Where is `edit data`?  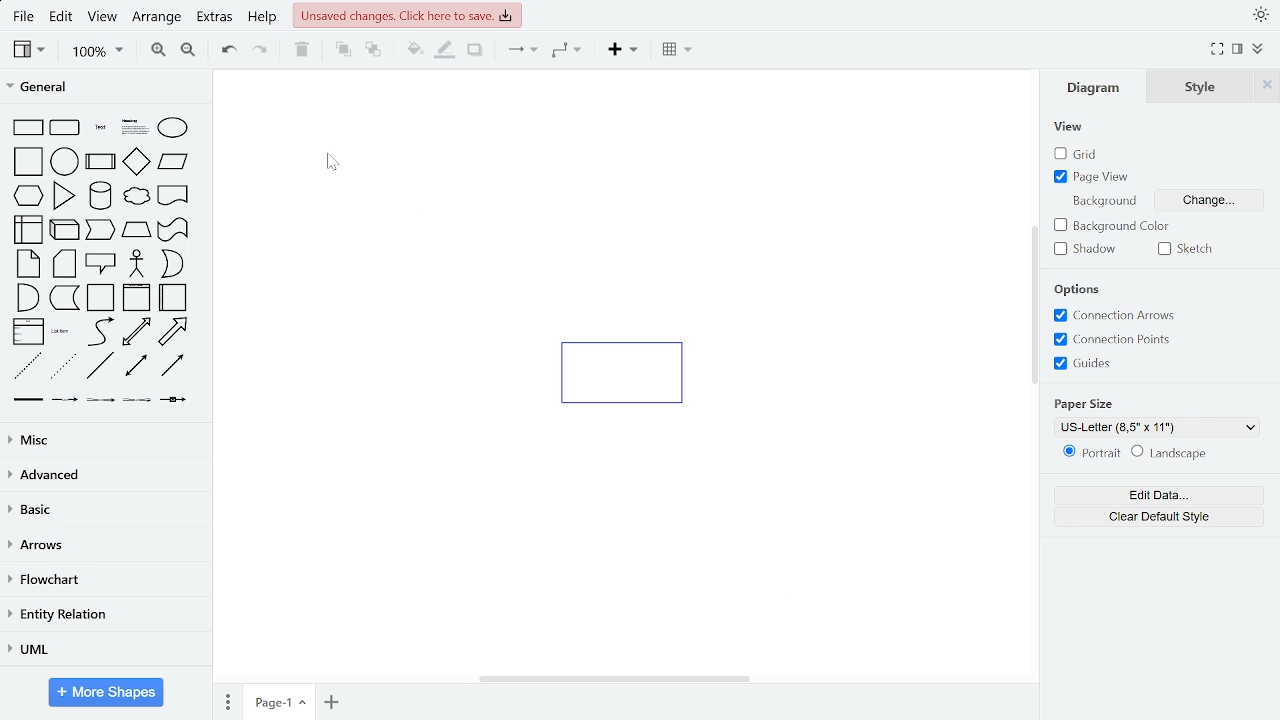
edit data is located at coordinates (1157, 495).